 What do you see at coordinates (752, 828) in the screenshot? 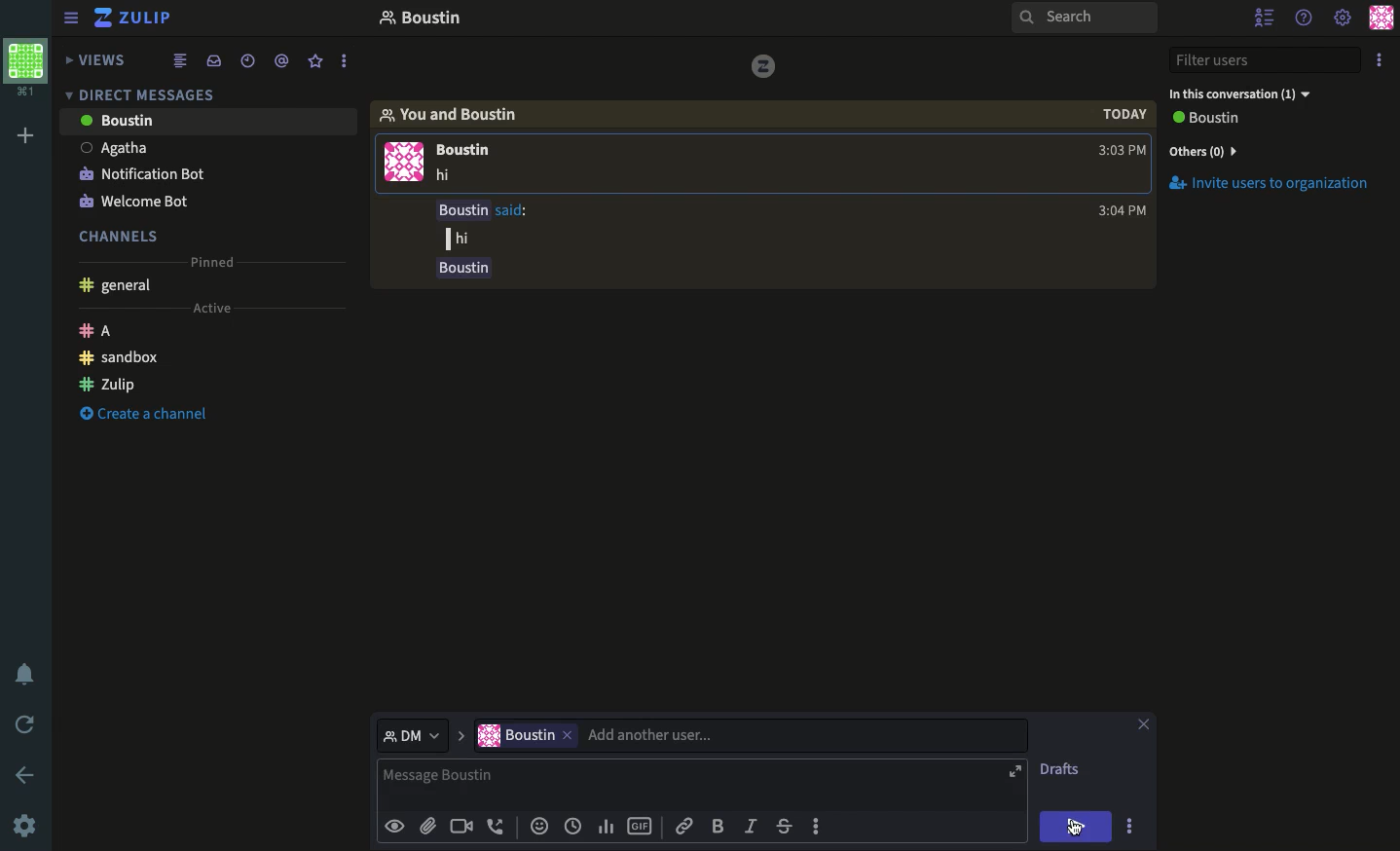
I see `Italics` at bounding box center [752, 828].